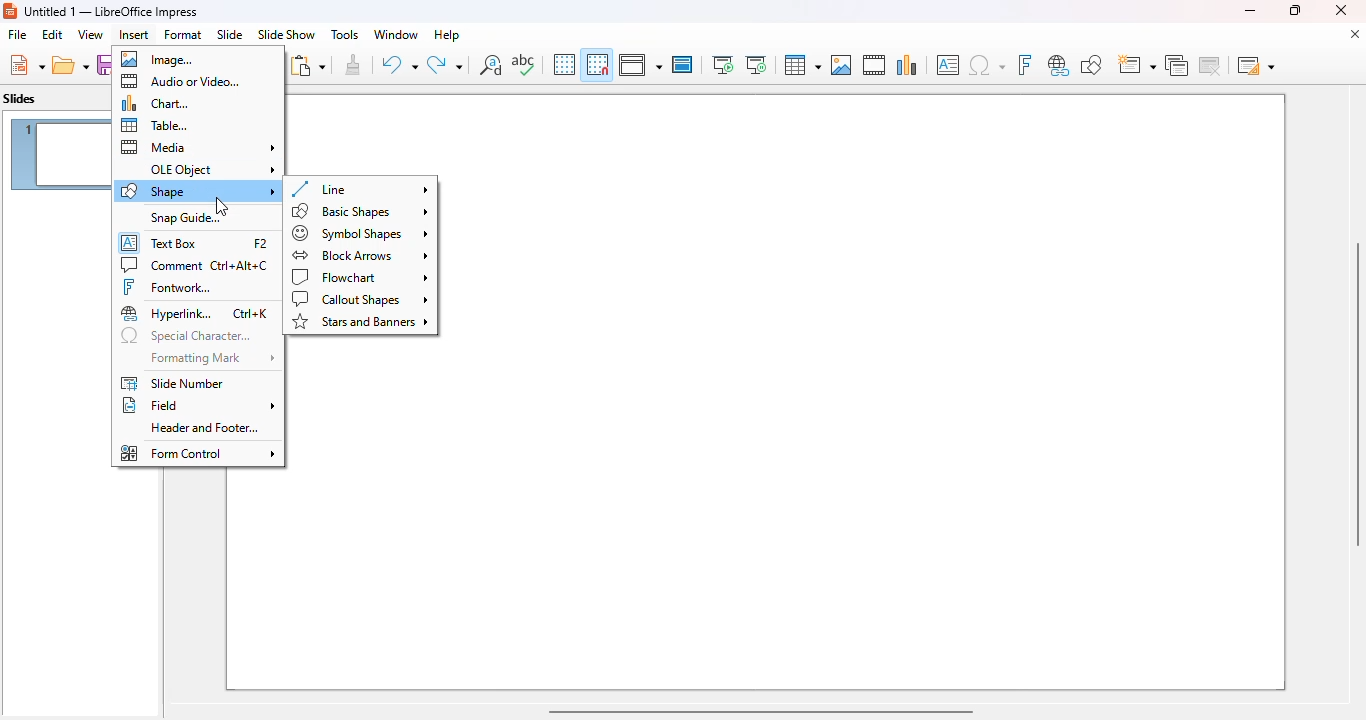 The width and height of the screenshot is (1366, 720). I want to click on tools, so click(344, 34).